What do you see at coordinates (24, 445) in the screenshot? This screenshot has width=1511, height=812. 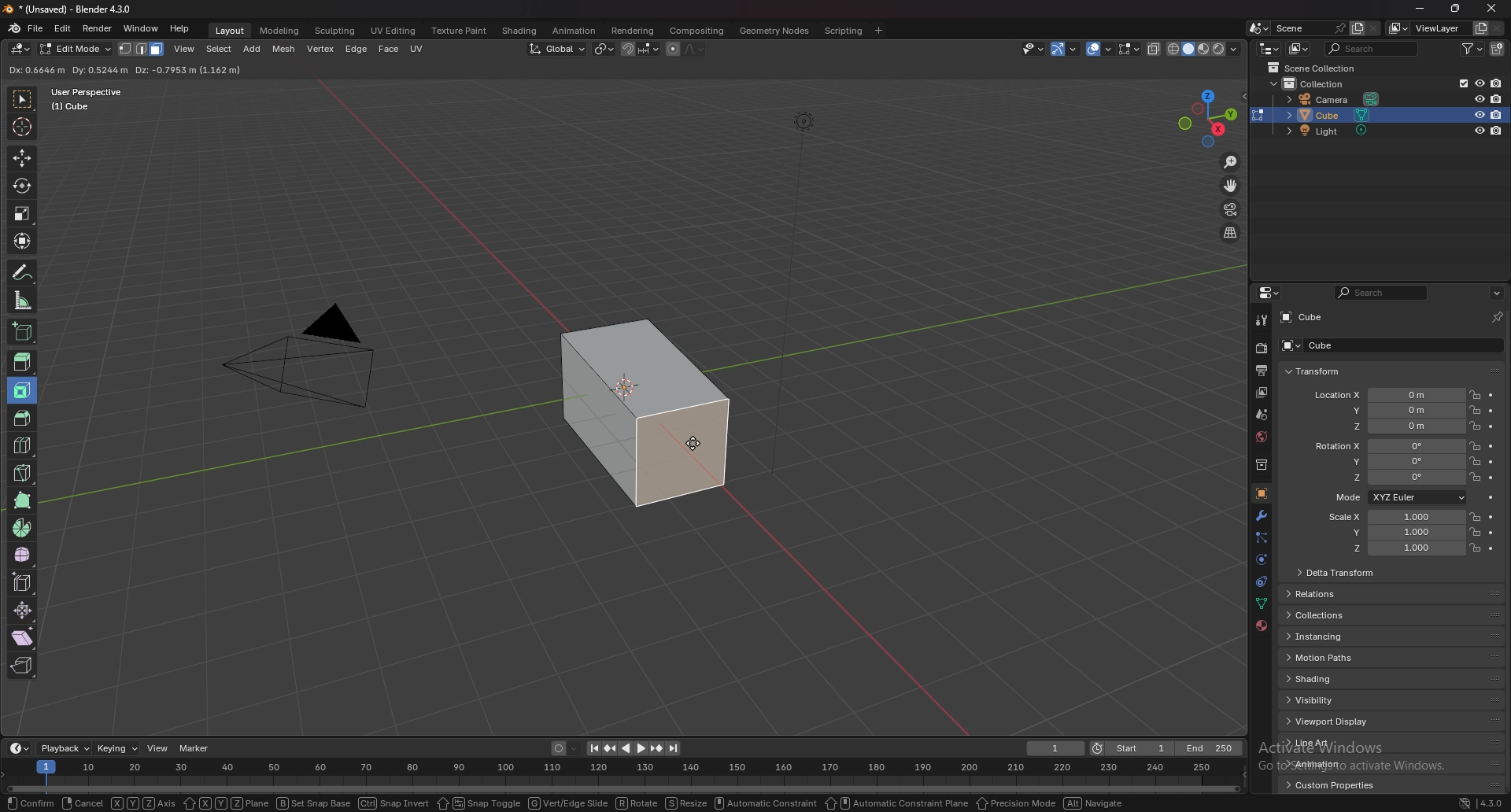 I see `loop cut` at bounding box center [24, 445].